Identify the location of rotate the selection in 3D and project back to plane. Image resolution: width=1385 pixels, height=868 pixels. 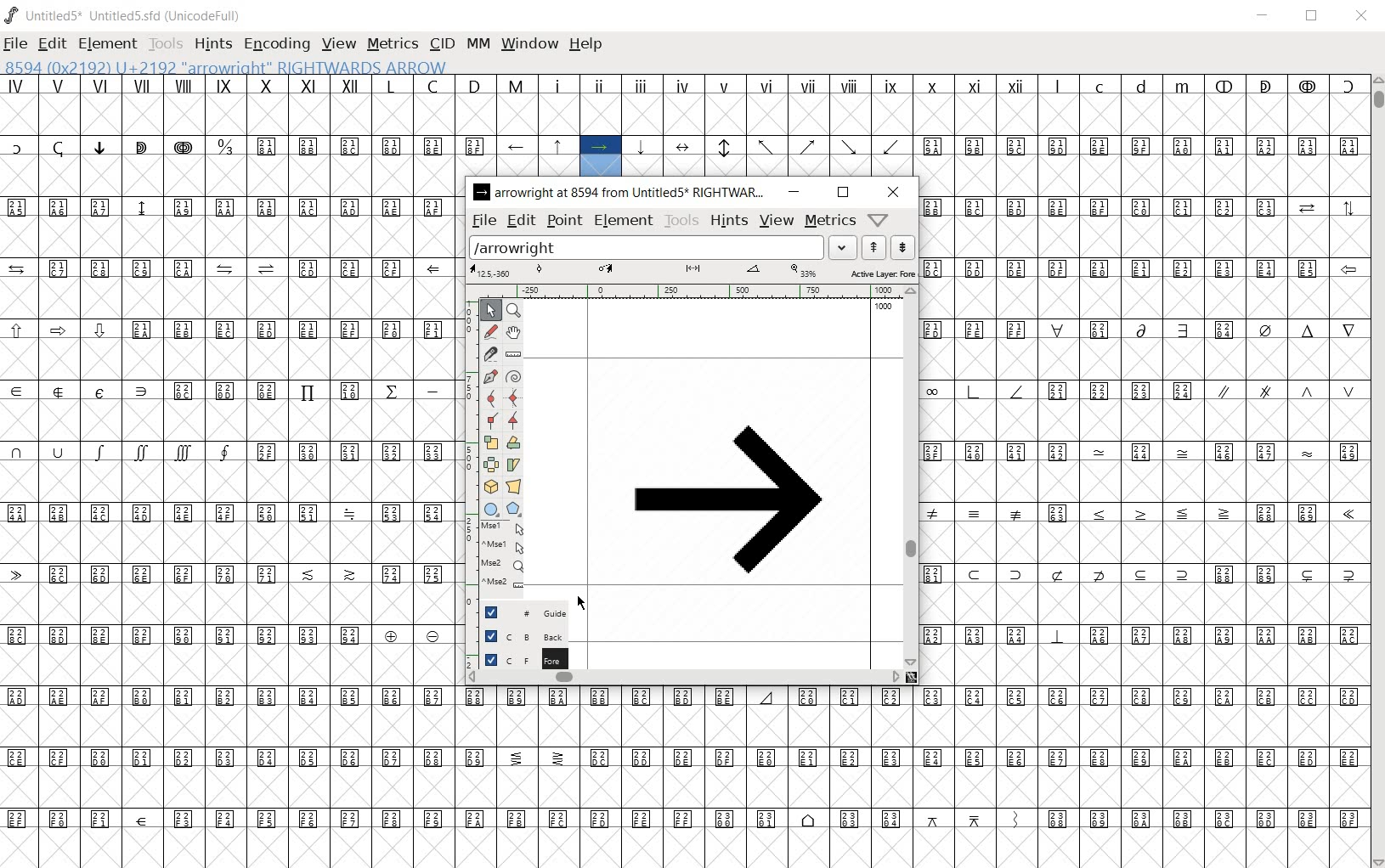
(489, 487).